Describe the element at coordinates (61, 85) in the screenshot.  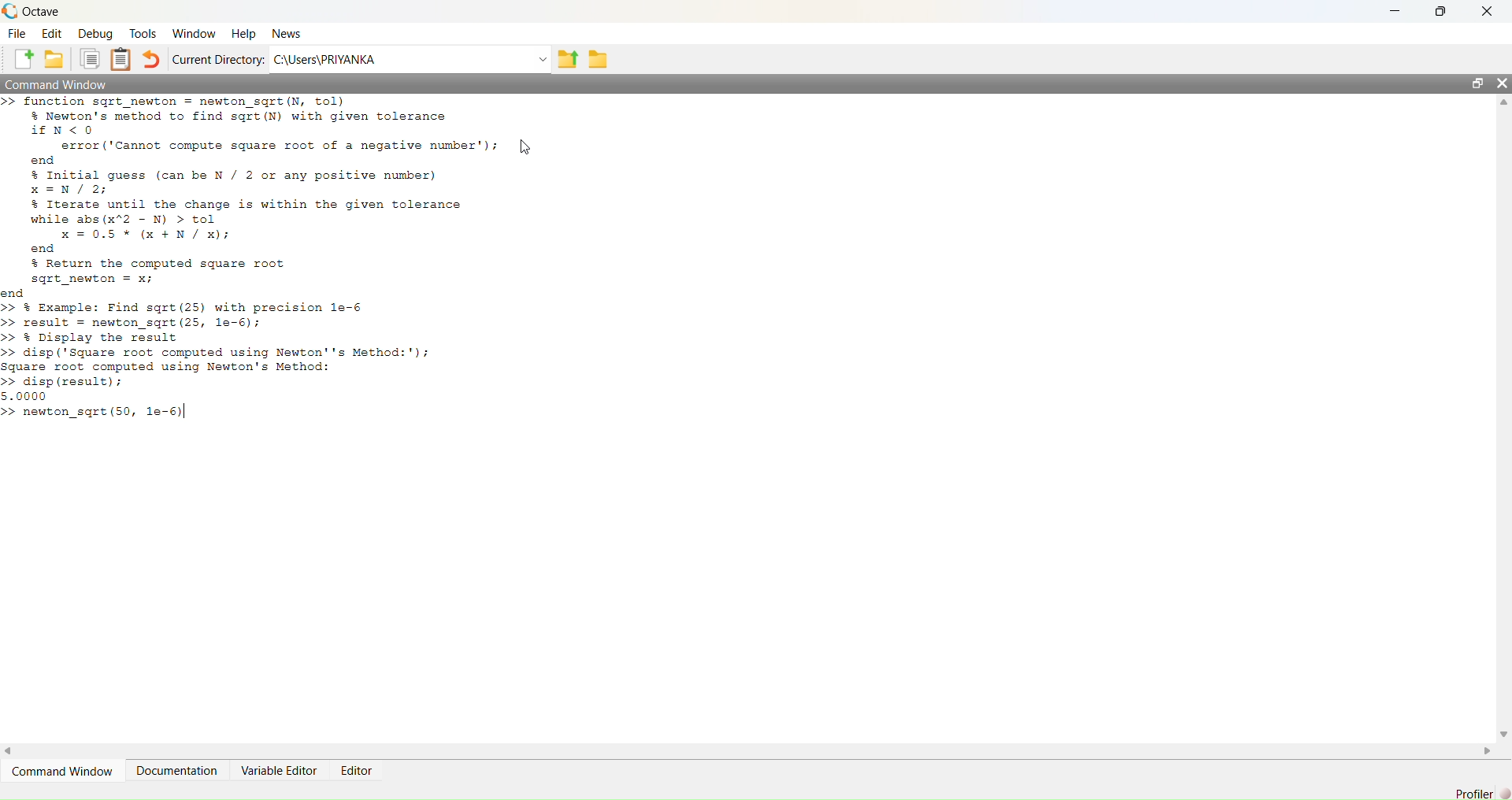
I see `Command Window` at that location.